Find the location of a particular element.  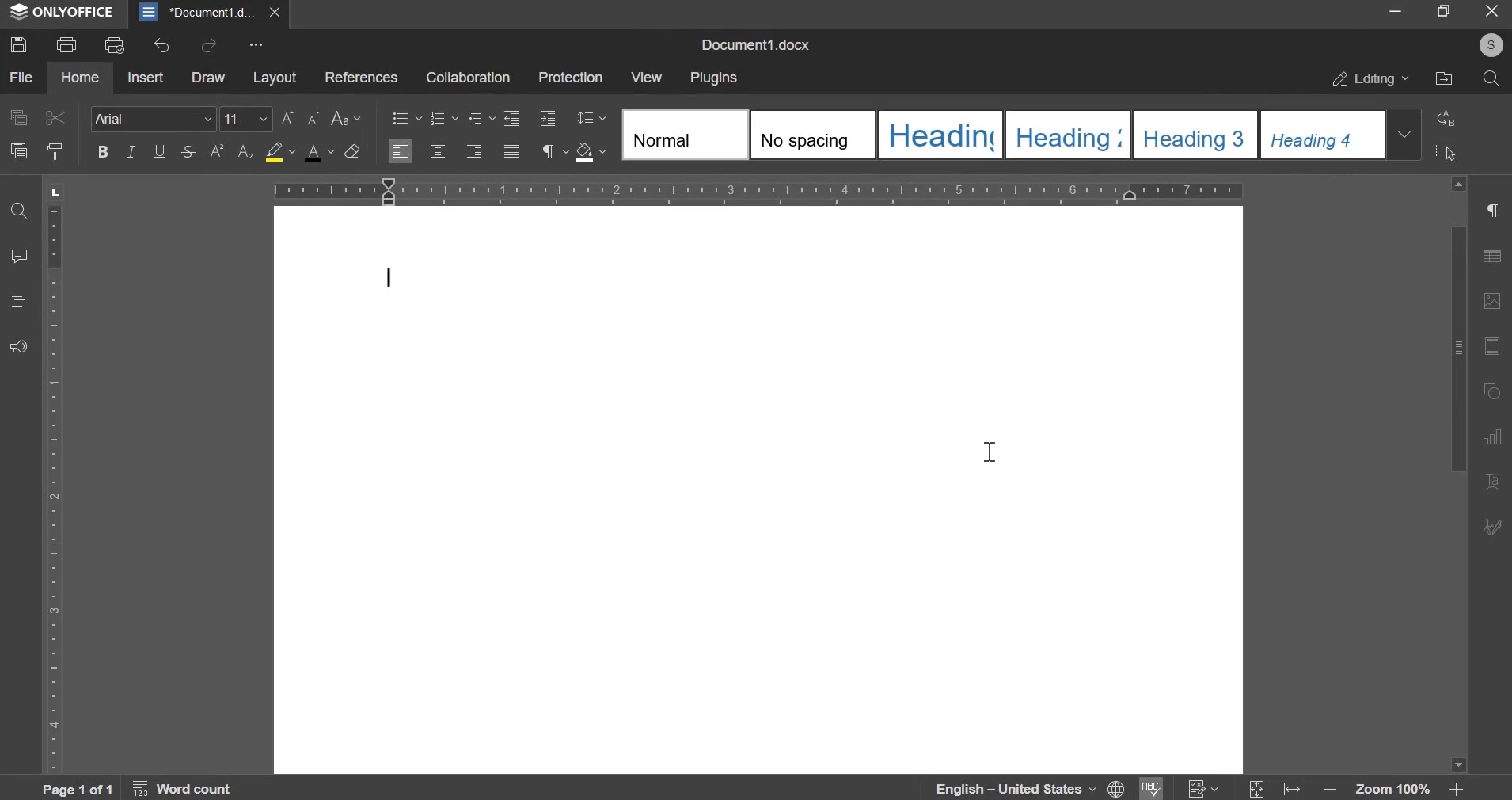

undo is located at coordinates (164, 47).